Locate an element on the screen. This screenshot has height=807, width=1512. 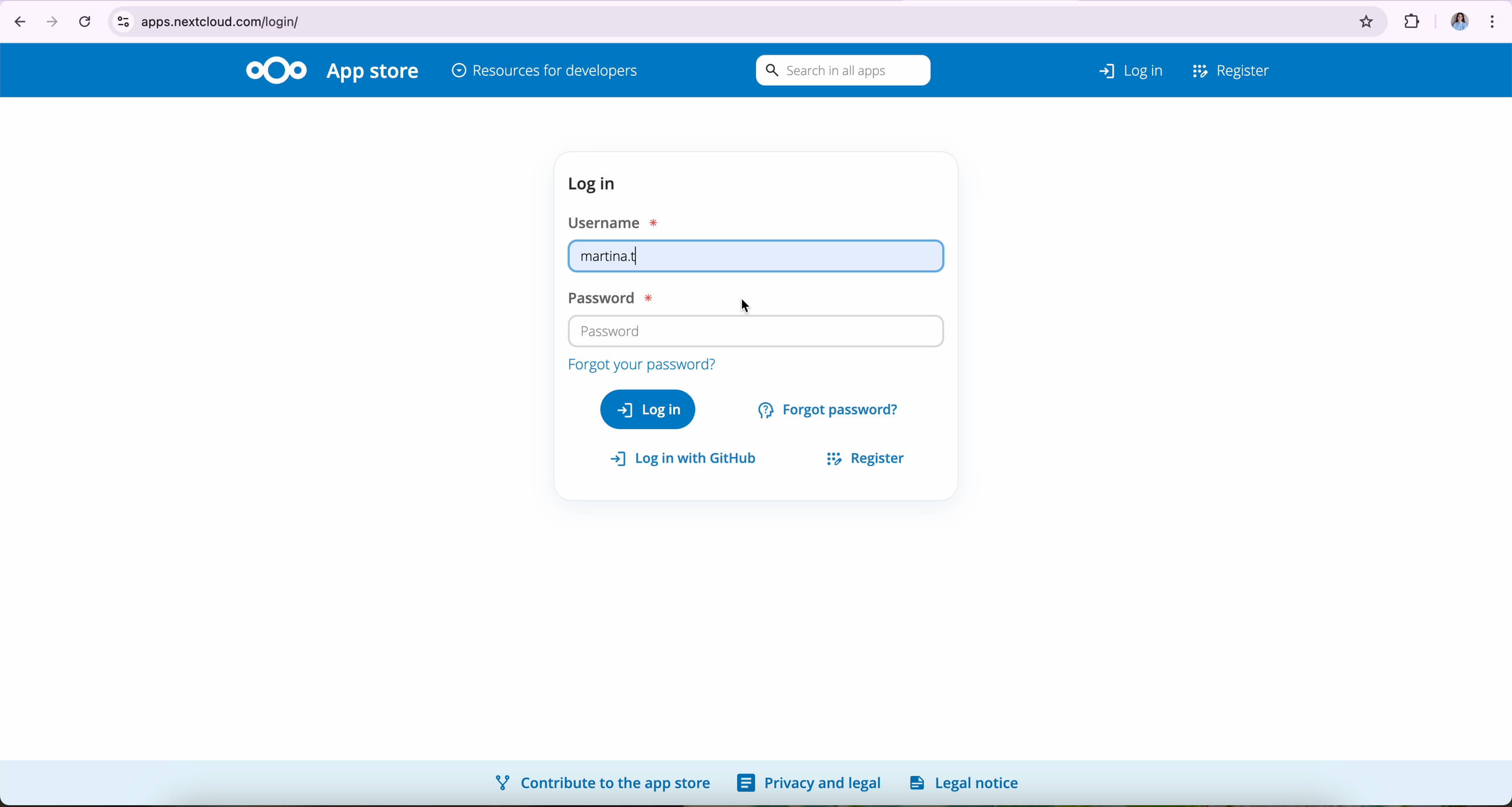
username* is located at coordinates (616, 221).